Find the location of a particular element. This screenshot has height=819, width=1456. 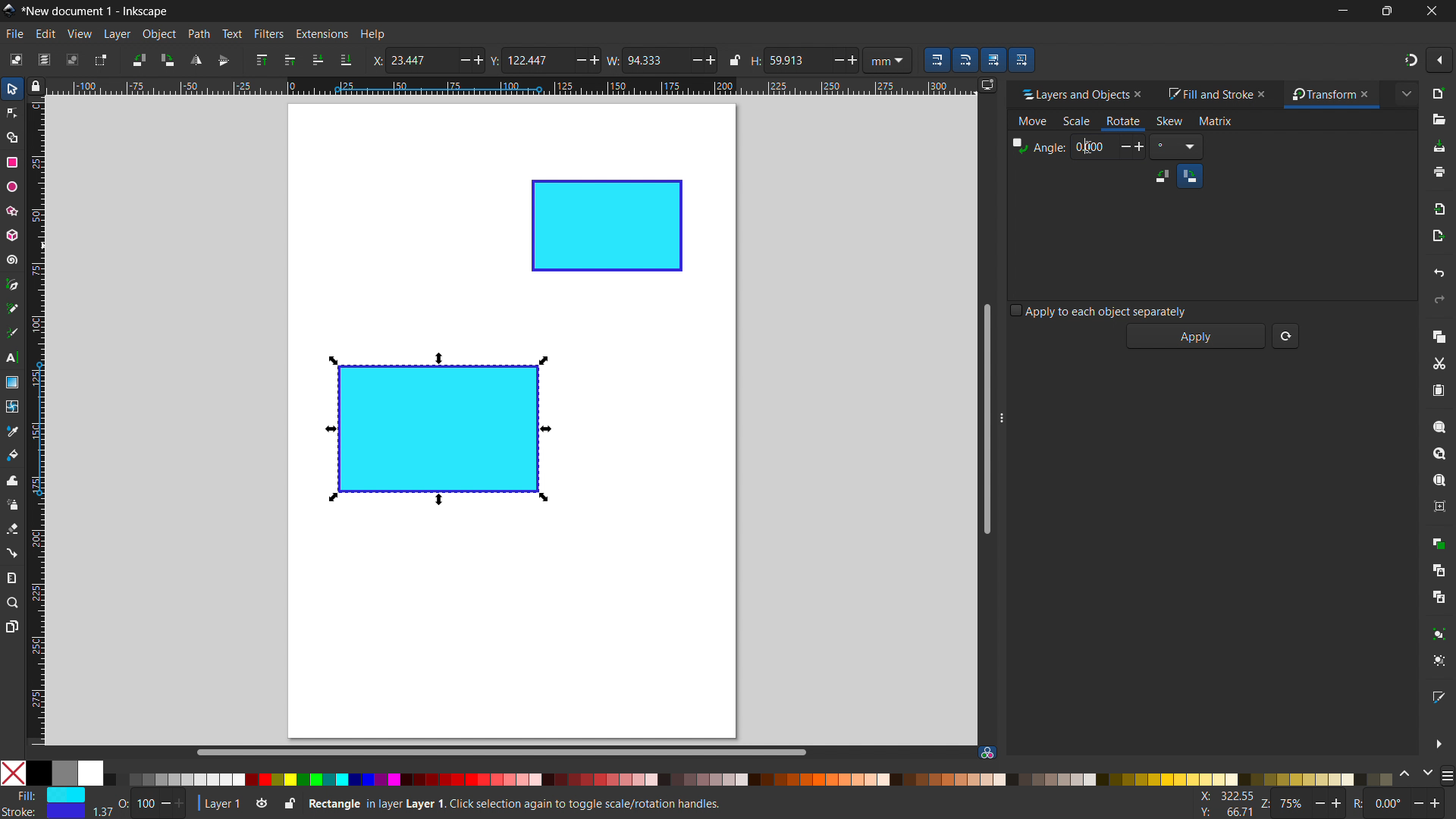

clockwise is located at coordinates (1190, 175).